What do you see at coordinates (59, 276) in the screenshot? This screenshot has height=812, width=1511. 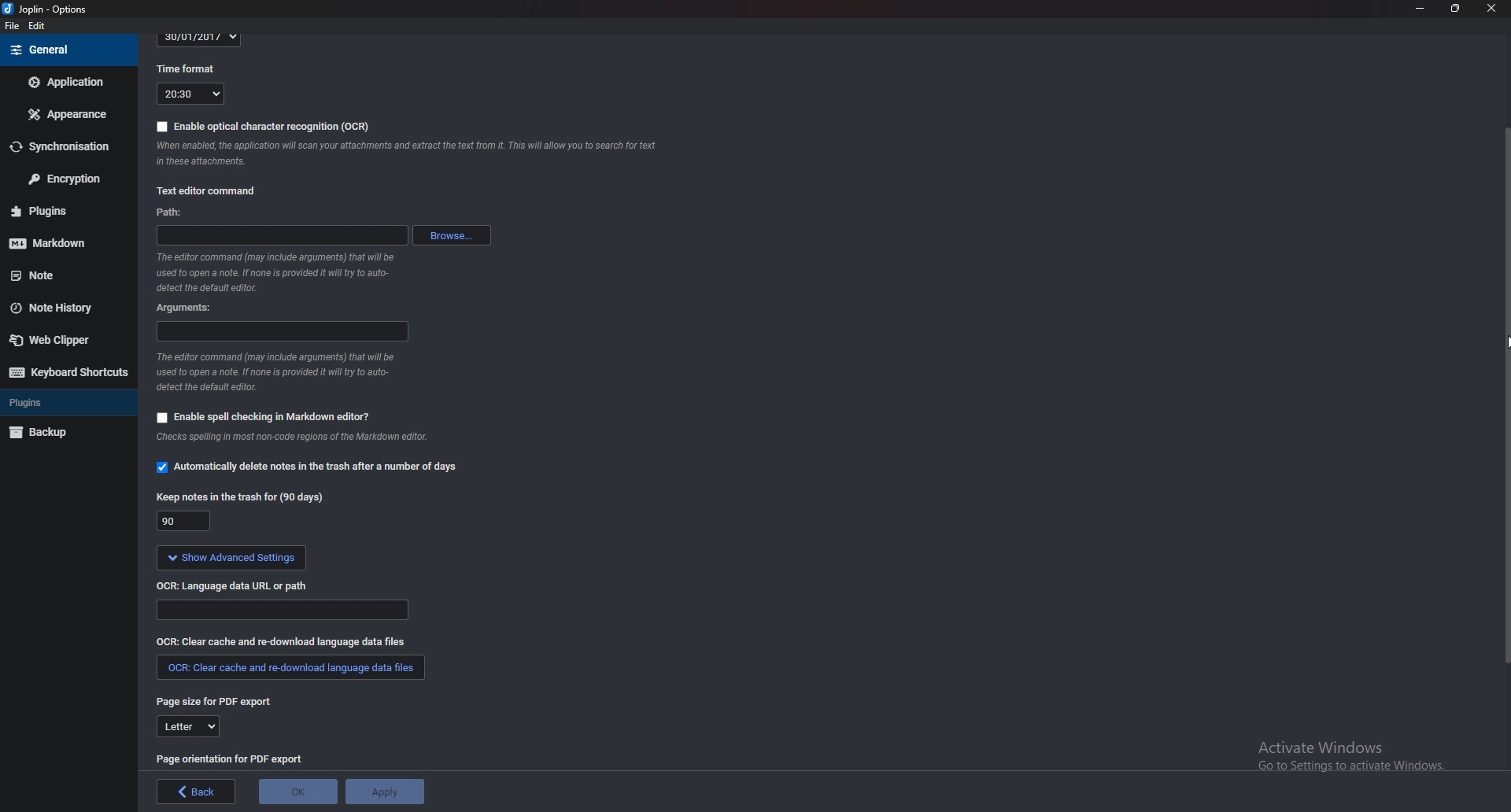 I see `note` at bounding box center [59, 276].